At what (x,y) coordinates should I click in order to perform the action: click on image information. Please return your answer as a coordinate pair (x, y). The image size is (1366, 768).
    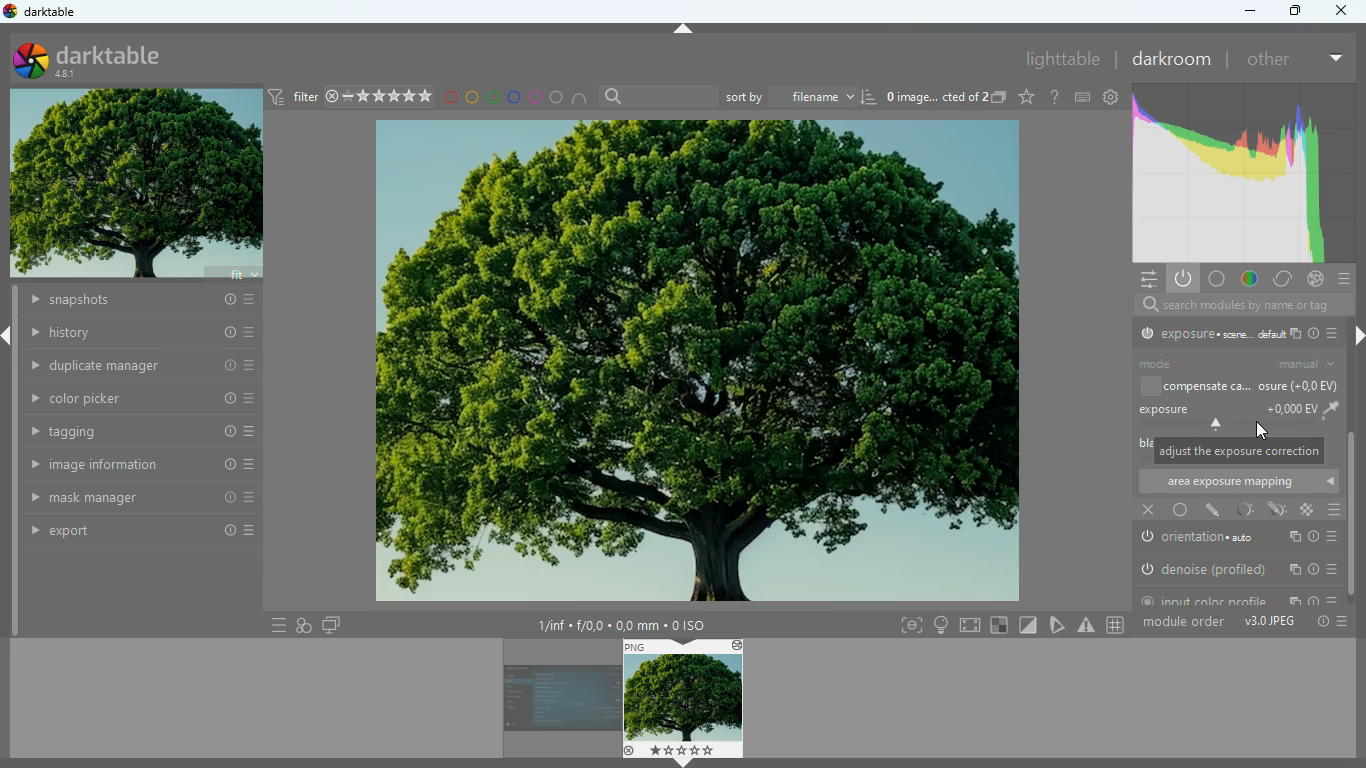
    Looking at the image, I should click on (622, 622).